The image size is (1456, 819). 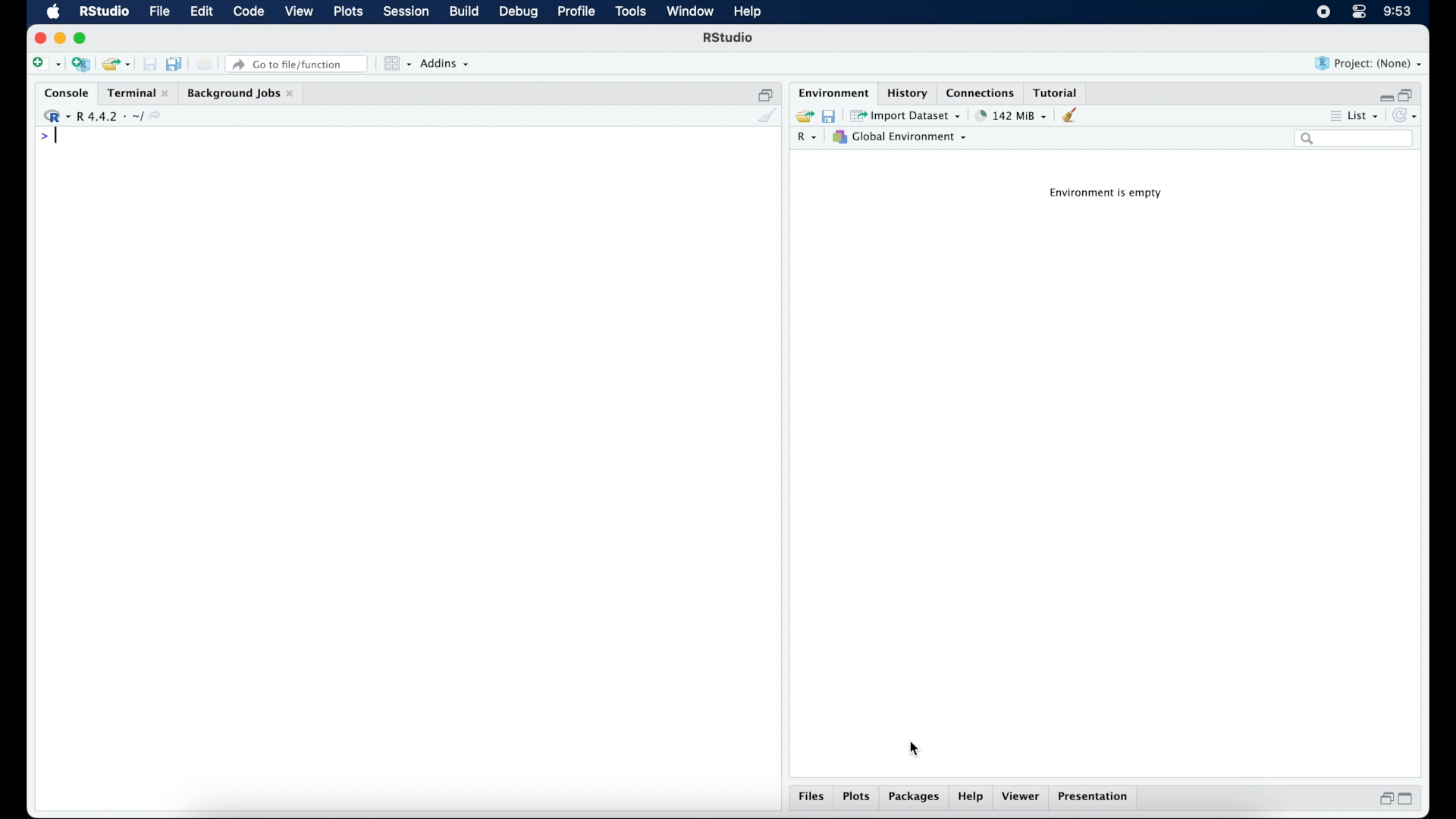 I want to click on build, so click(x=465, y=12).